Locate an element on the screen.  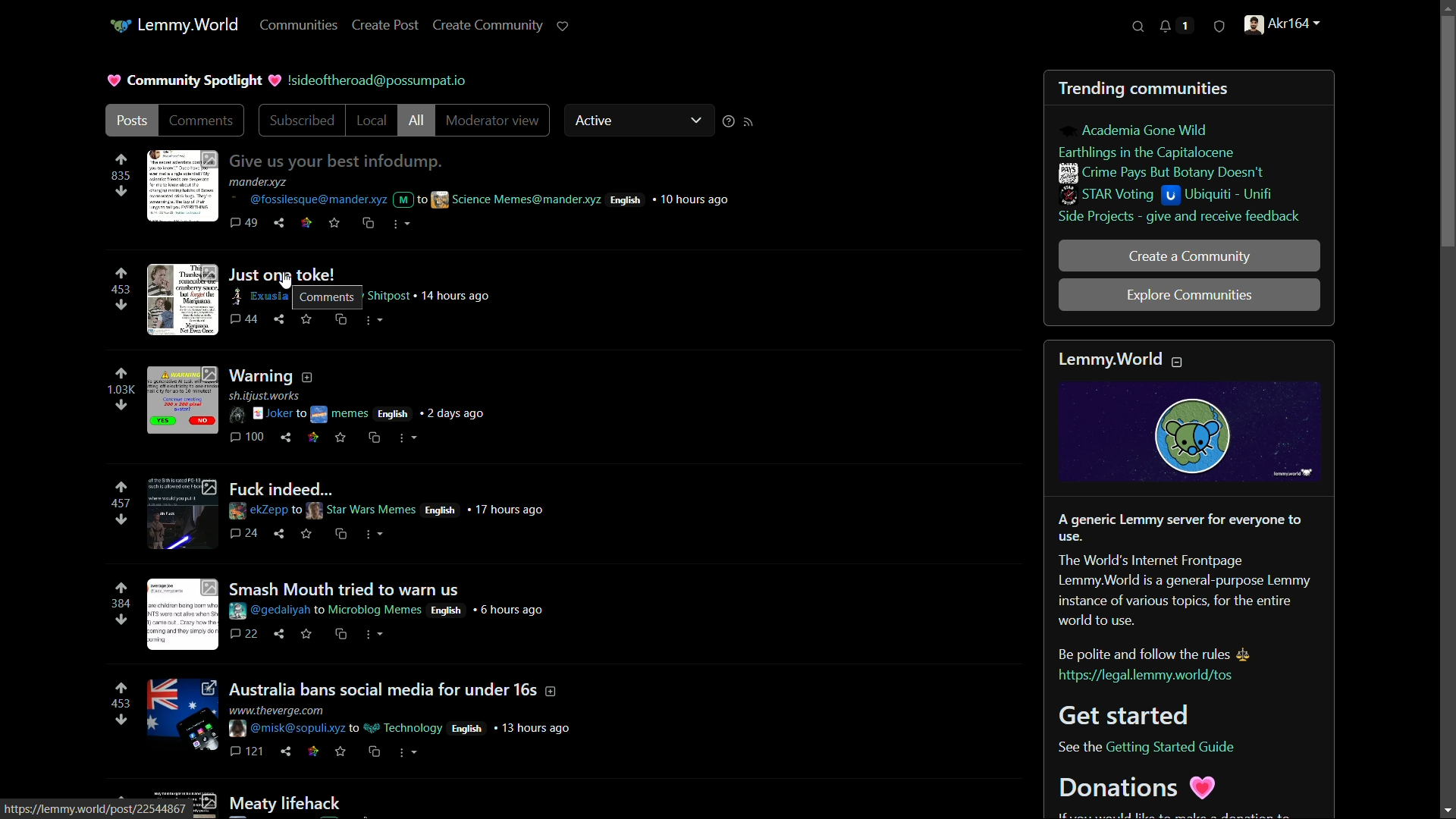
See the is located at coordinates (1078, 747).